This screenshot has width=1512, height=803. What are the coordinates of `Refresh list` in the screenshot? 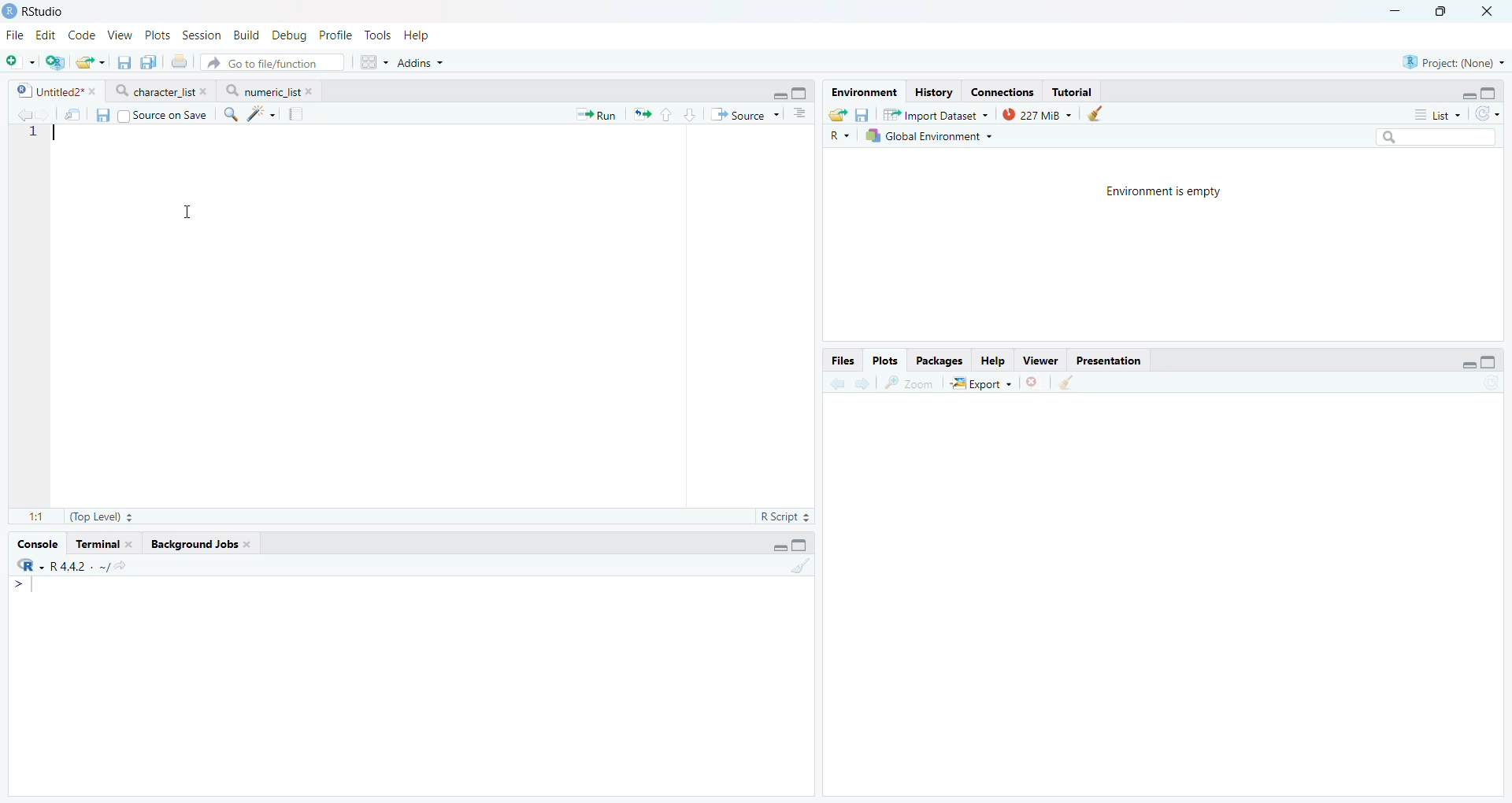 It's located at (1489, 383).